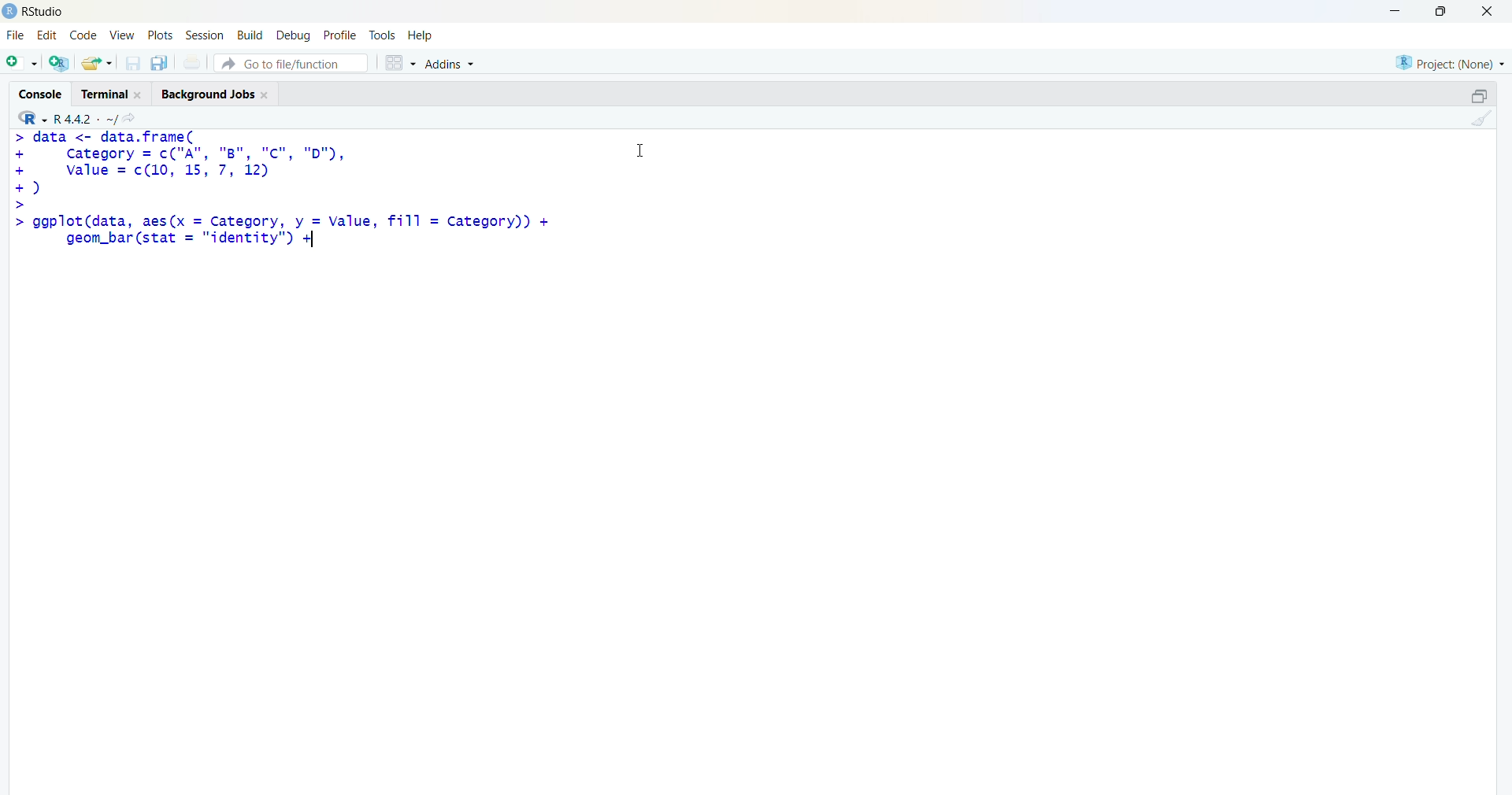 The height and width of the screenshot is (795, 1512). Describe the element at coordinates (162, 35) in the screenshot. I see `plots` at that location.